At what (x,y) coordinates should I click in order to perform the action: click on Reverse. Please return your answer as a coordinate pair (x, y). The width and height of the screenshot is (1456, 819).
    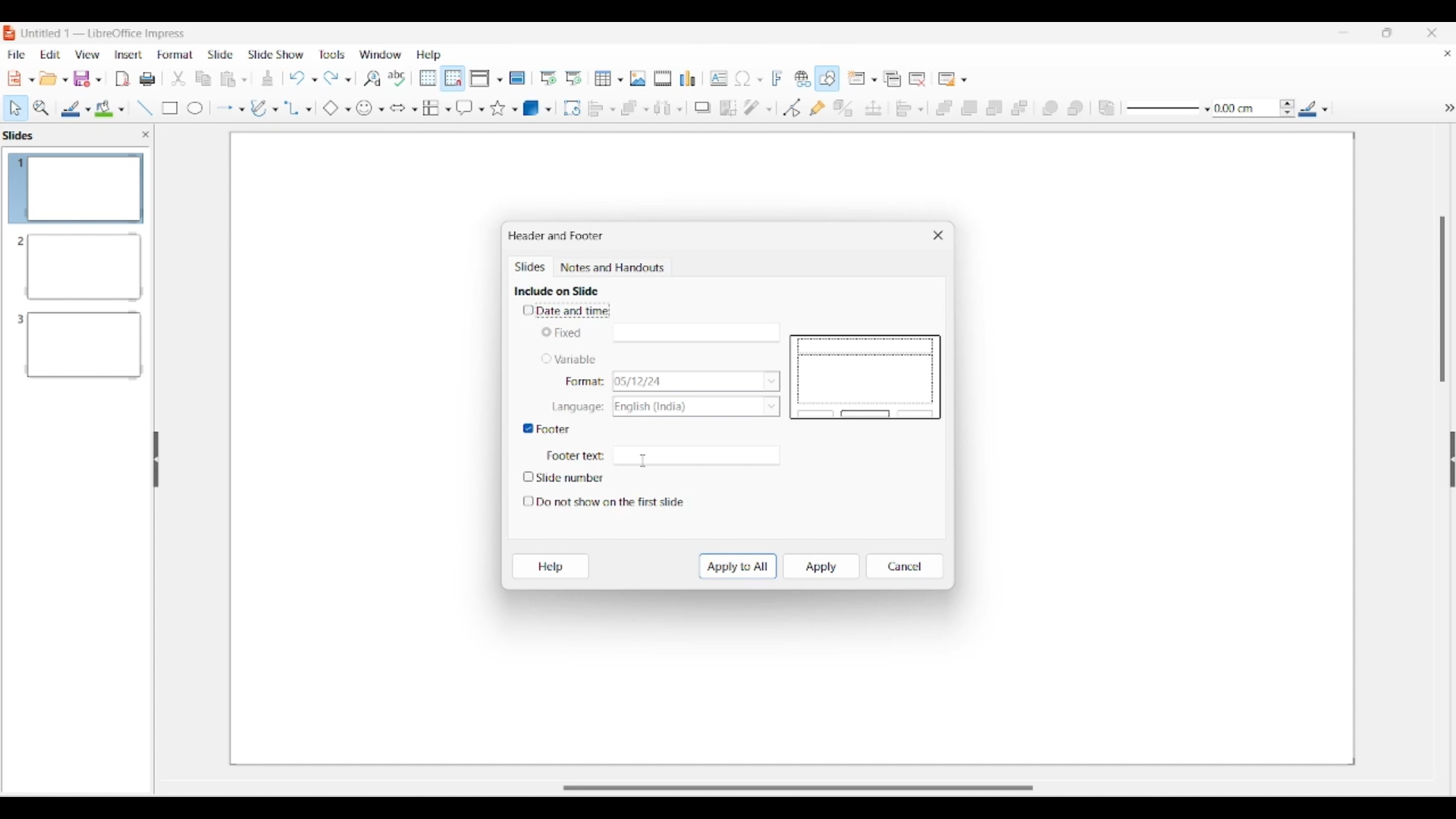
    Looking at the image, I should click on (1107, 108).